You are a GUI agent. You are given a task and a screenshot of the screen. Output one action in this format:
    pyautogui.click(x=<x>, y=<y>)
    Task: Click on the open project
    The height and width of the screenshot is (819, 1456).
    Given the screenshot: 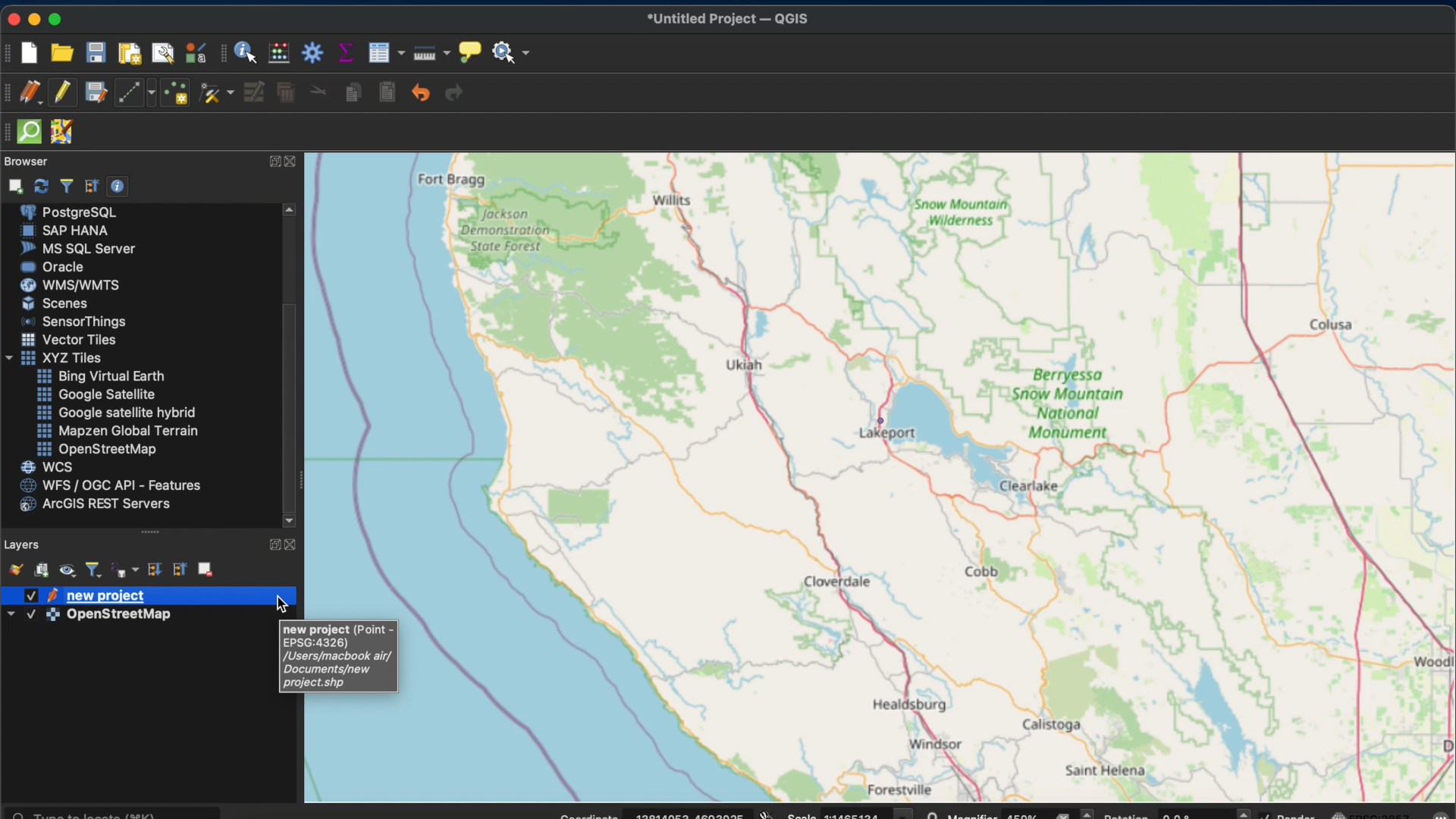 What is the action you would take?
    pyautogui.click(x=61, y=52)
    